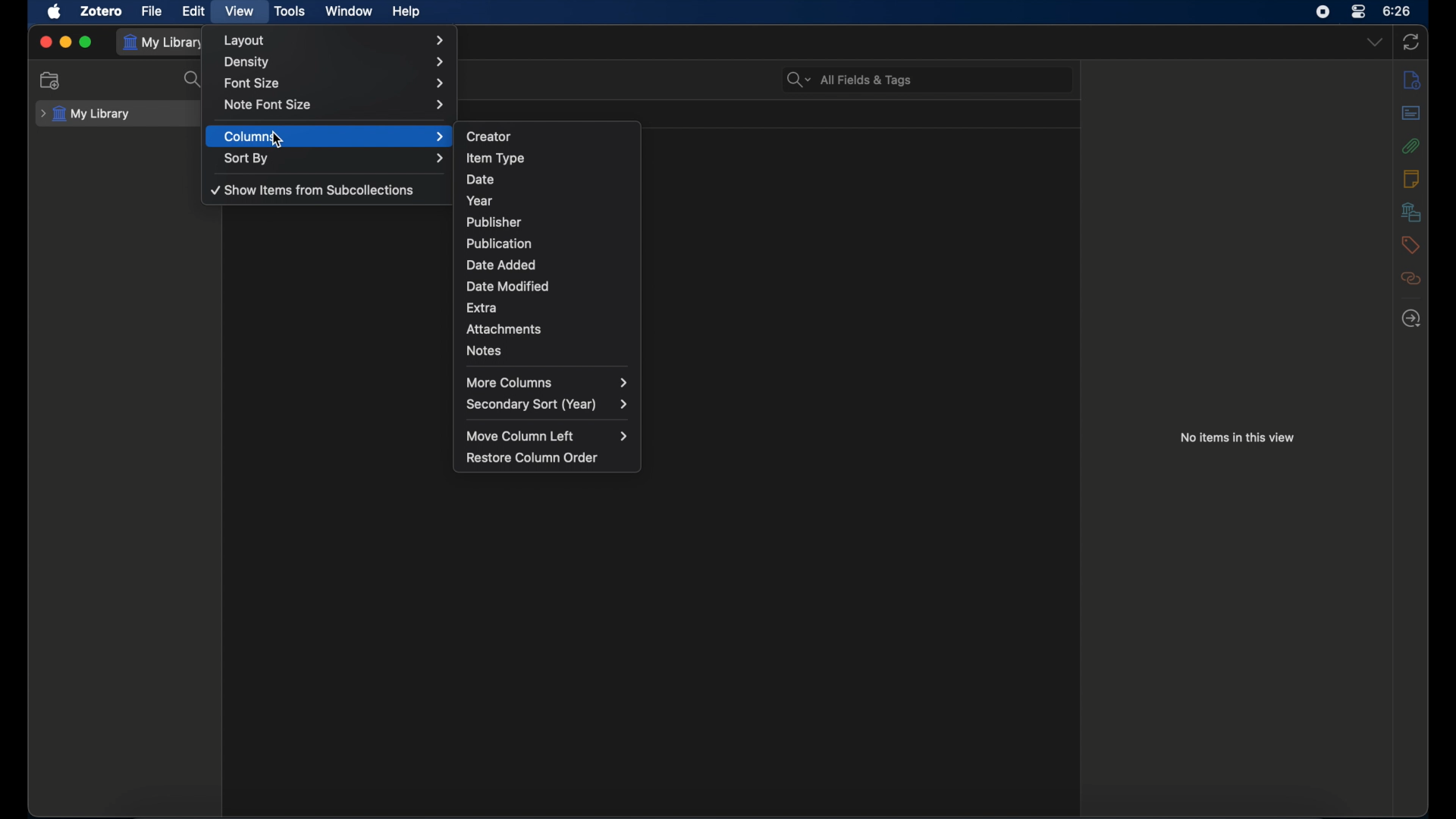 Image resolution: width=1456 pixels, height=819 pixels. I want to click on attachments, so click(548, 329).